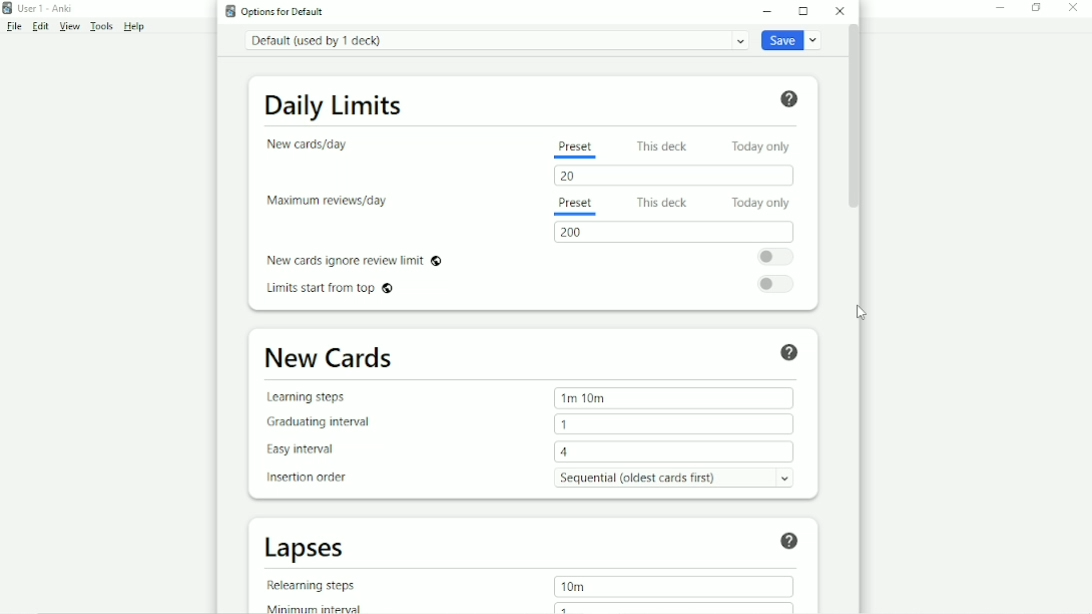  Describe the element at coordinates (792, 41) in the screenshot. I see `Save` at that location.